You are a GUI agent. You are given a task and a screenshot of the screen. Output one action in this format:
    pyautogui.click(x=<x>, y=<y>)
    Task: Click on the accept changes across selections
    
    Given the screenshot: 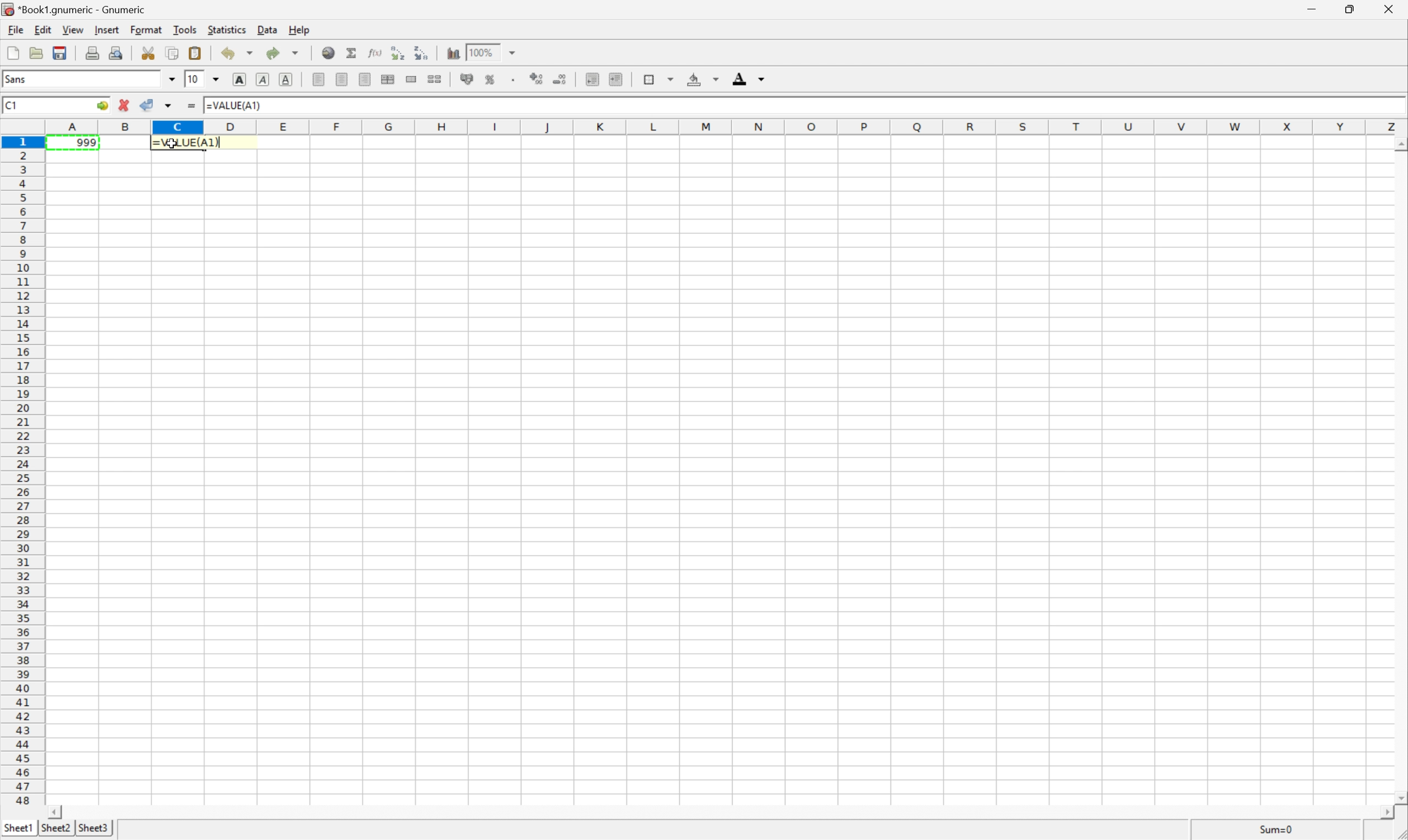 What is the action you would take?
    pyautogui.click(x=157, y=105)
    